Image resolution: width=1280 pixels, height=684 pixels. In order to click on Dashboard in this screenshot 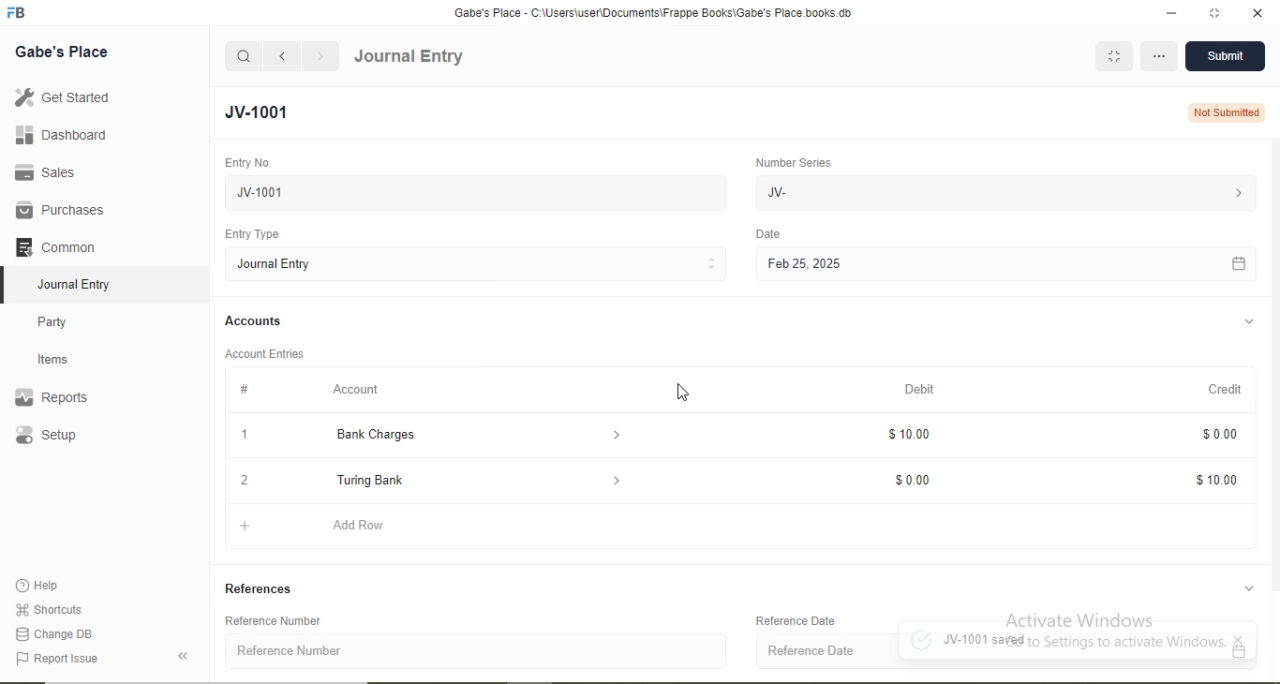, I will do `click(55, 136)`.